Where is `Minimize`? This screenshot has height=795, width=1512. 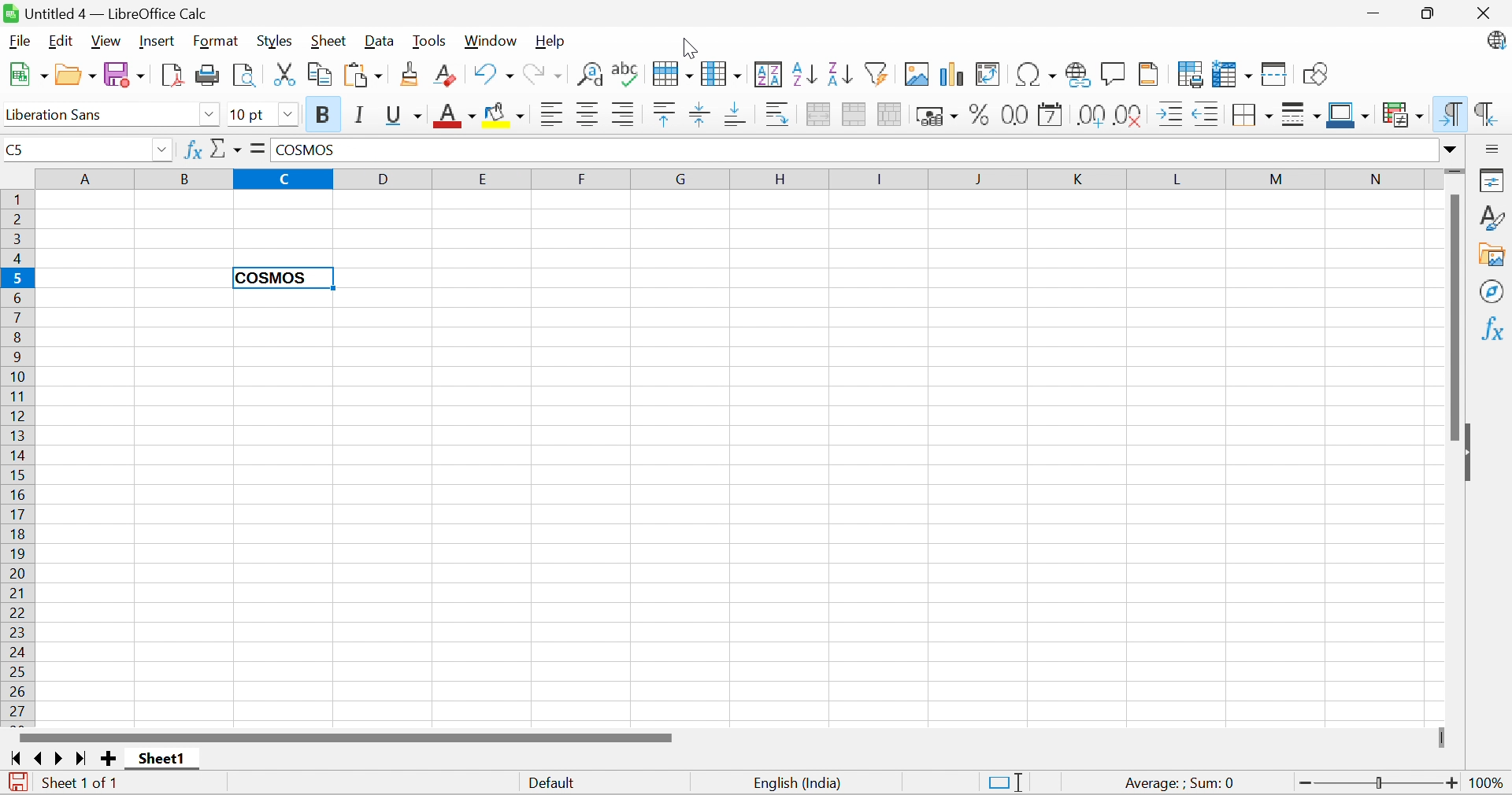 Minimize is located at coordinates (1373, 13).